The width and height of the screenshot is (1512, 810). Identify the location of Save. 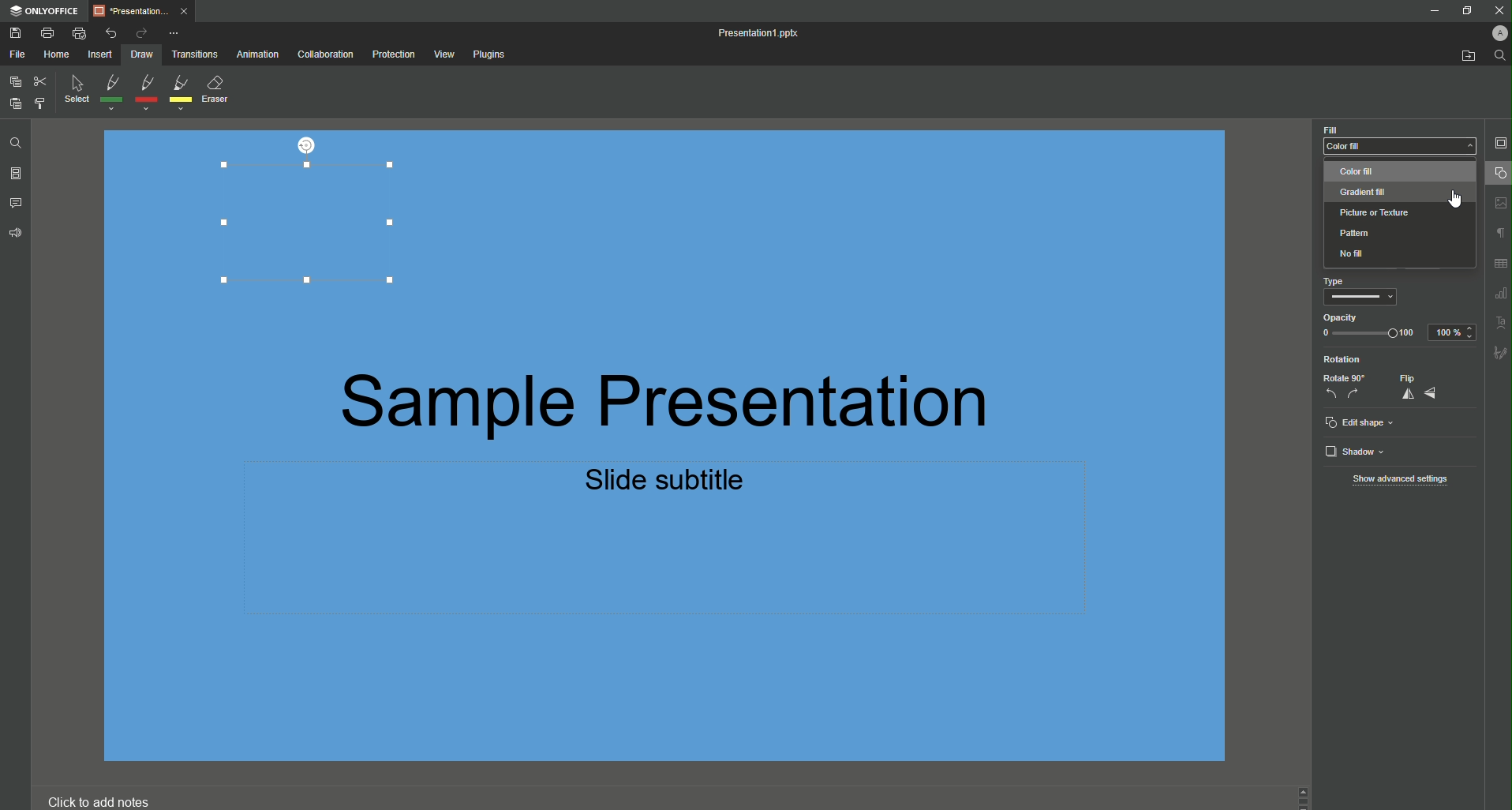
(17, 34).